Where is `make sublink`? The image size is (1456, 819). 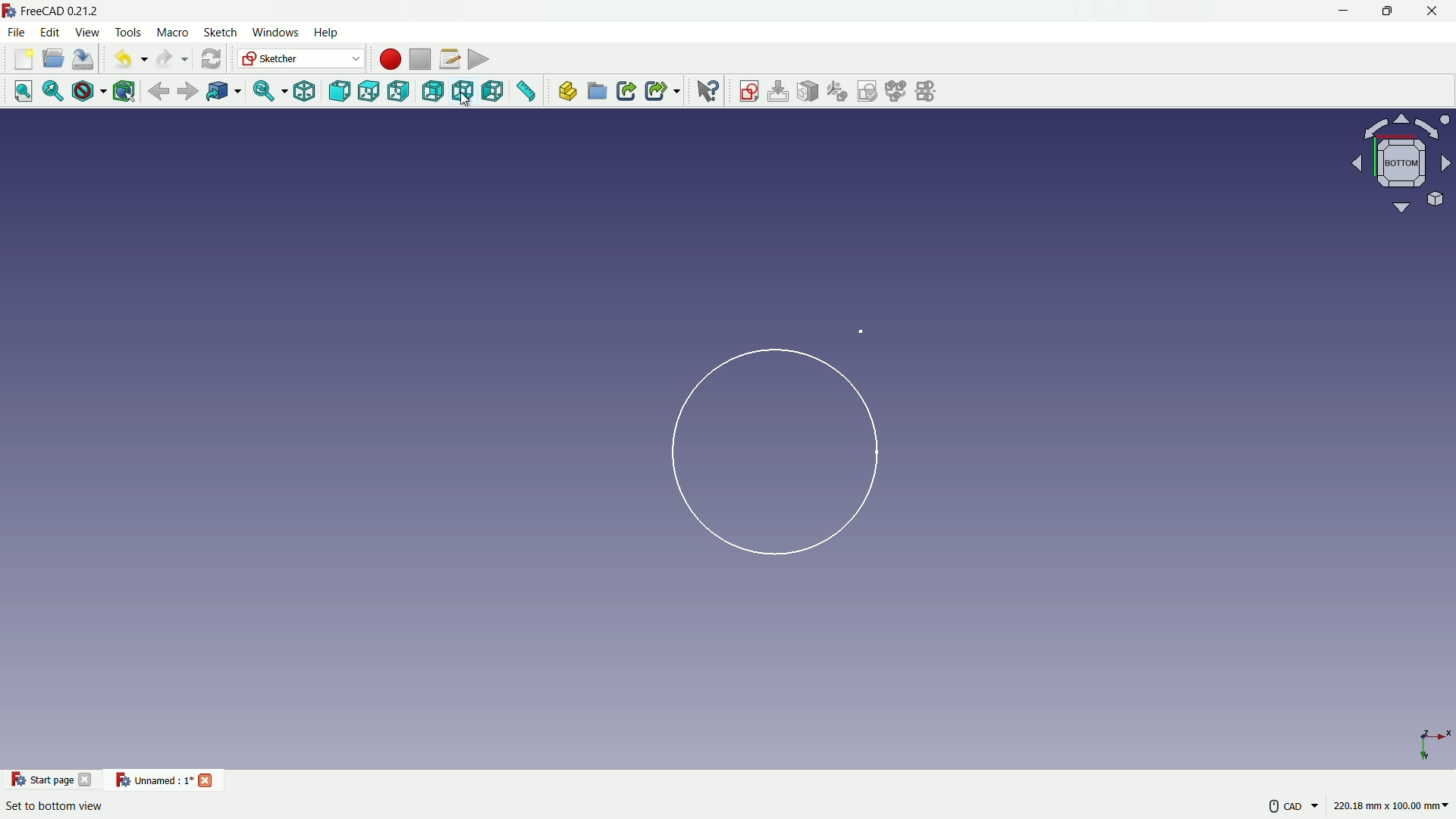 make sublink is located at coordinates (662, 92).